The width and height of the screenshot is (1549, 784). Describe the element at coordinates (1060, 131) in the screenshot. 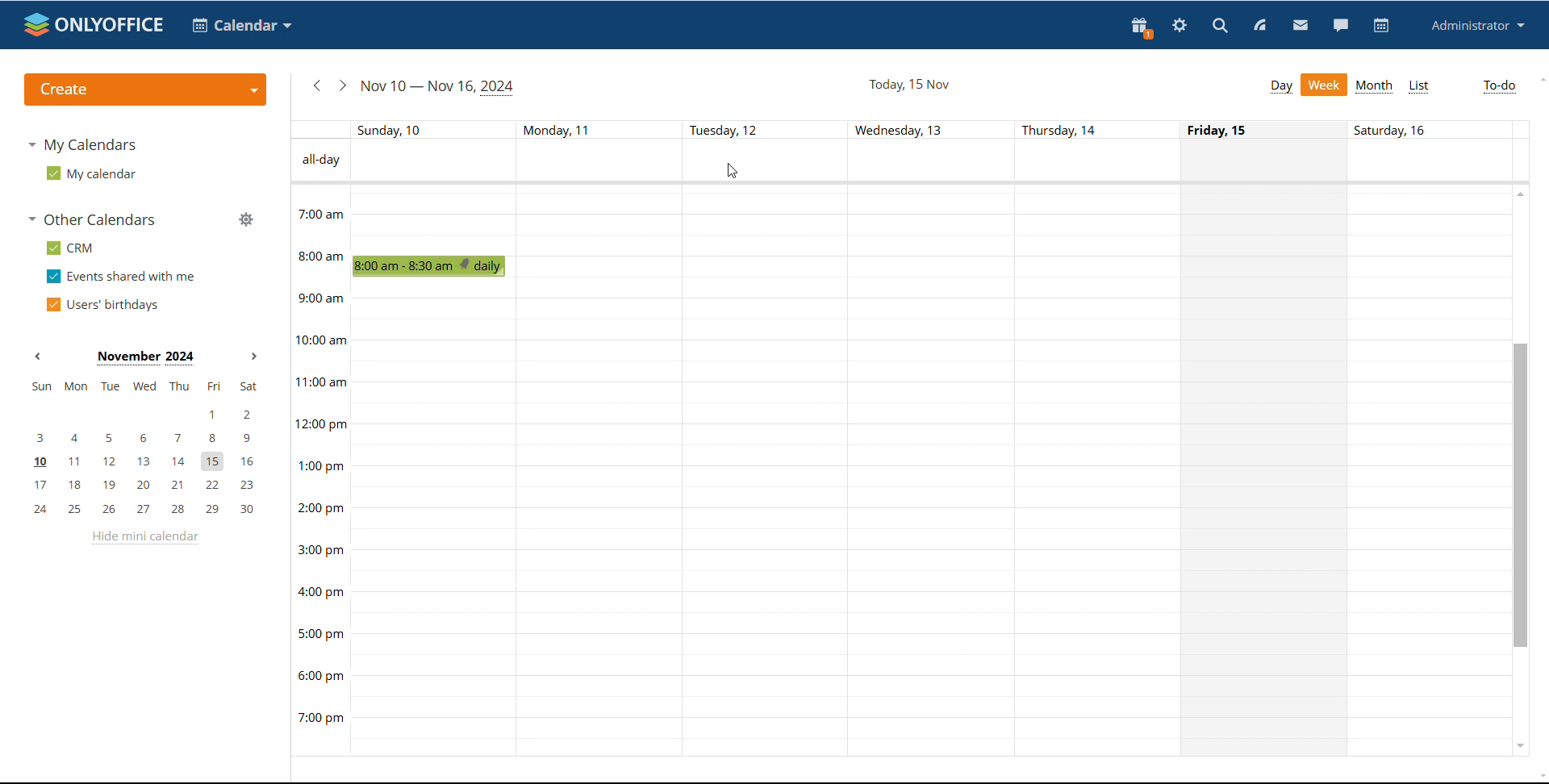

I see `` at that location.